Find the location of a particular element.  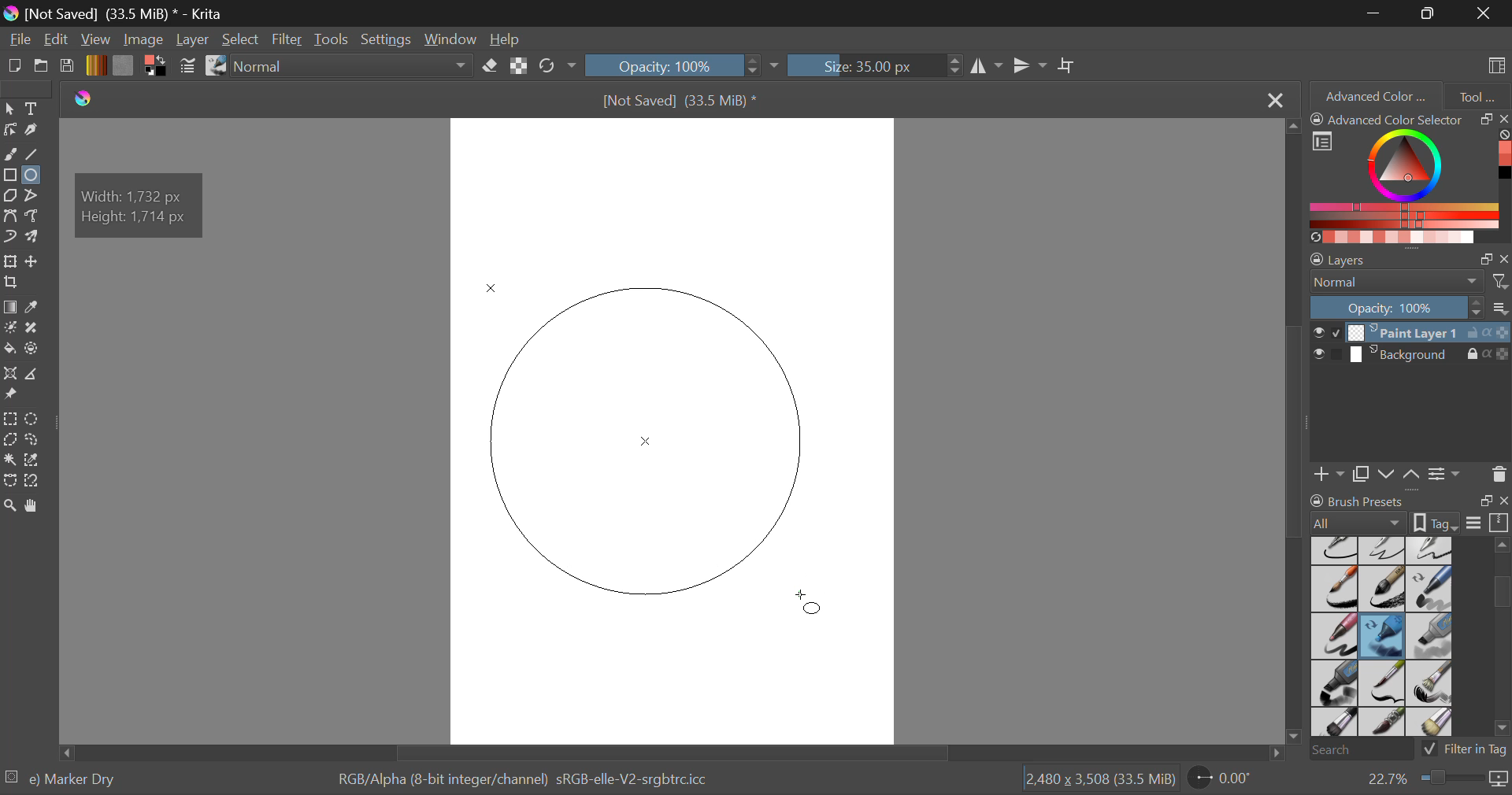

MOUSE_UP Cursor Position is located at coordinates (810, 601).